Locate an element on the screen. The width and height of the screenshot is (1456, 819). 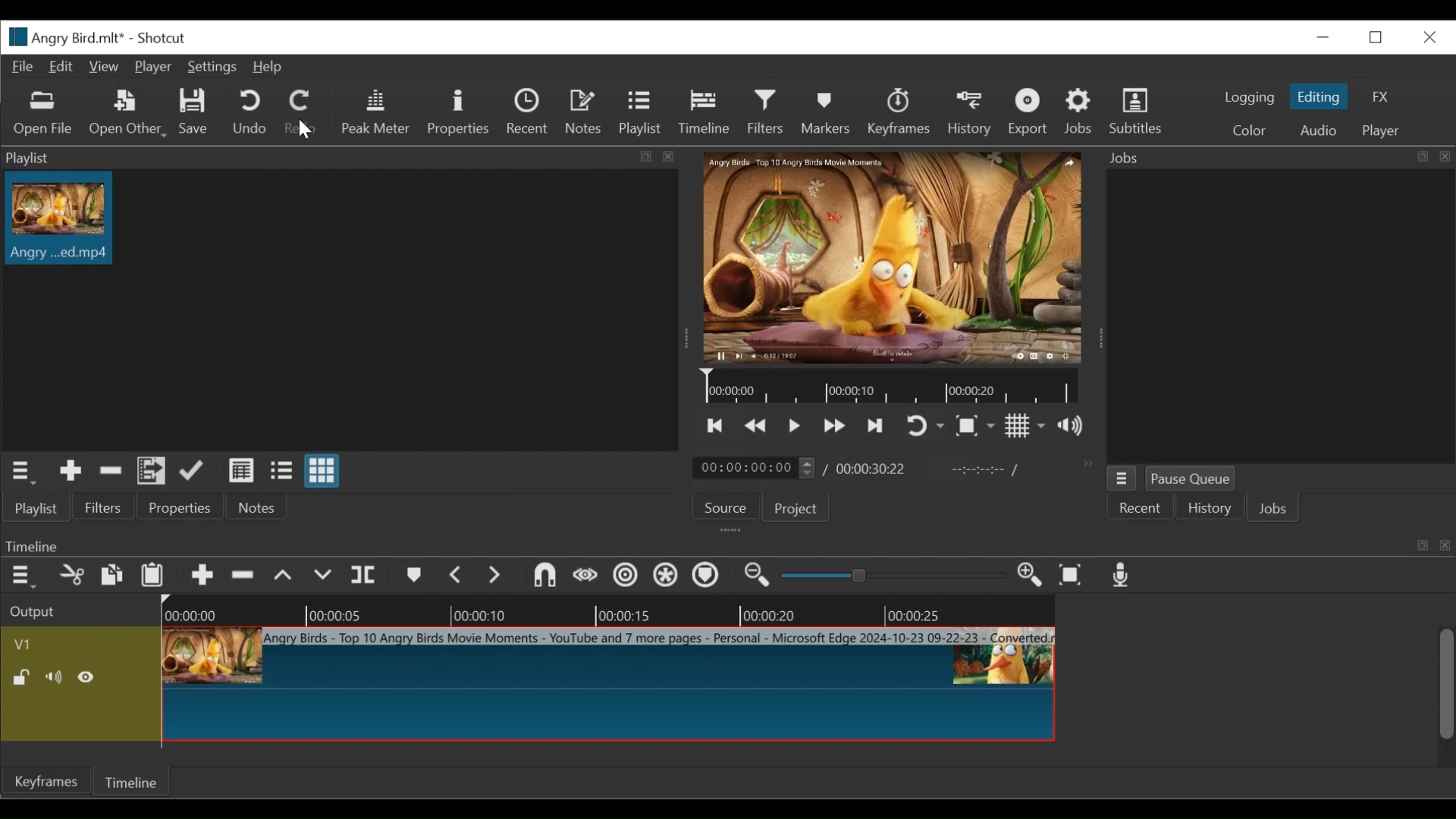
Zoom slider is located at coordinates (890, 576).